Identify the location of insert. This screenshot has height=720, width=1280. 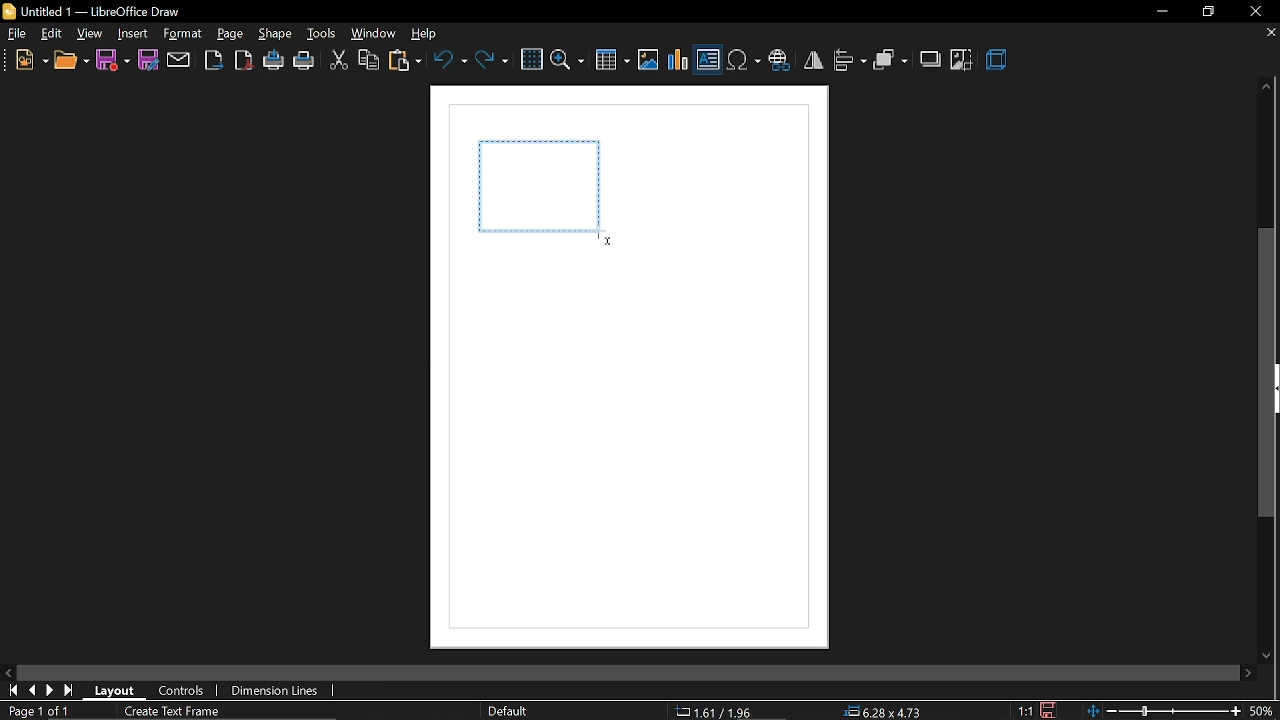
(133, 35).